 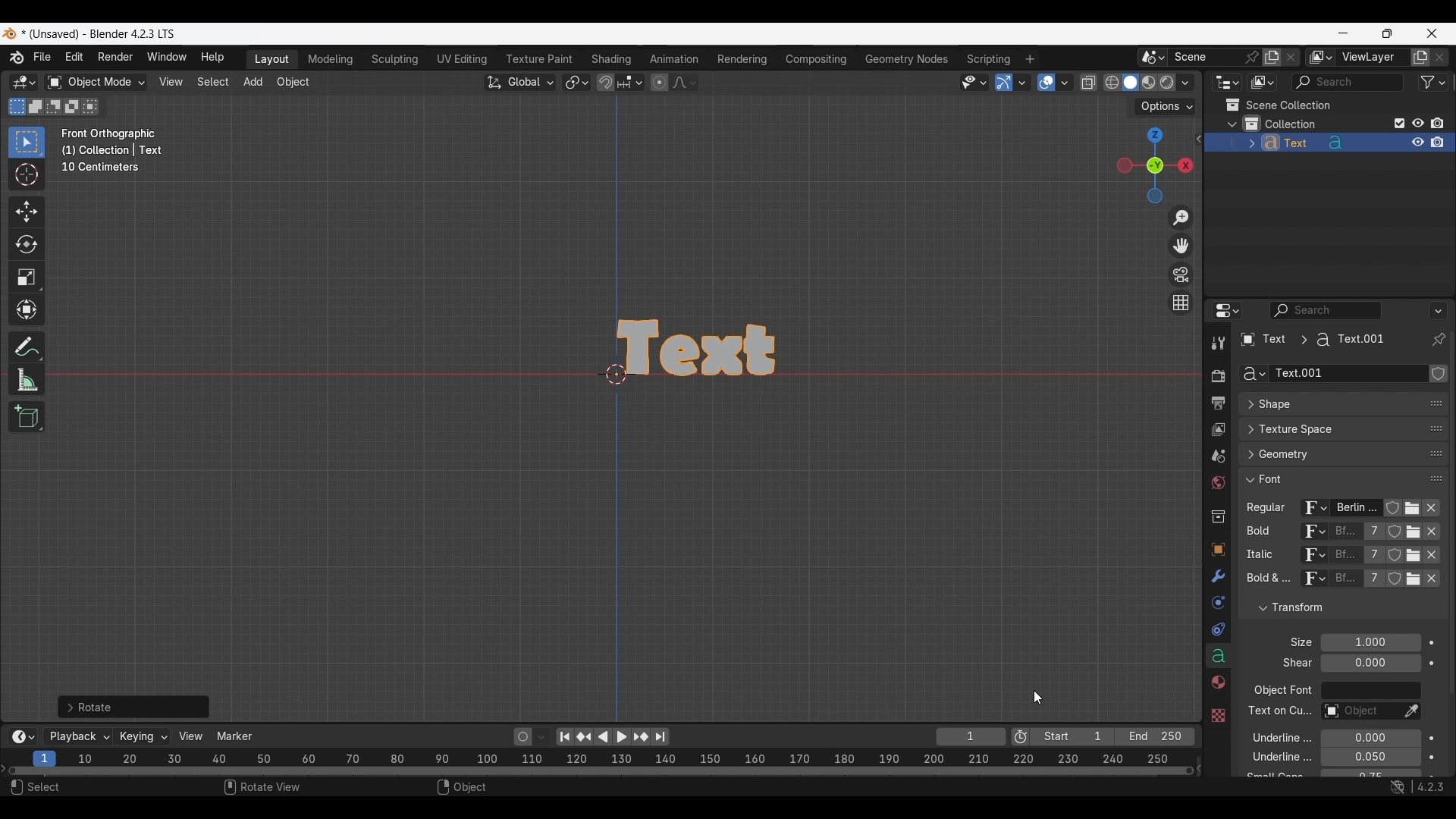 I want to click on Annotate, so click(x=27, y=347).